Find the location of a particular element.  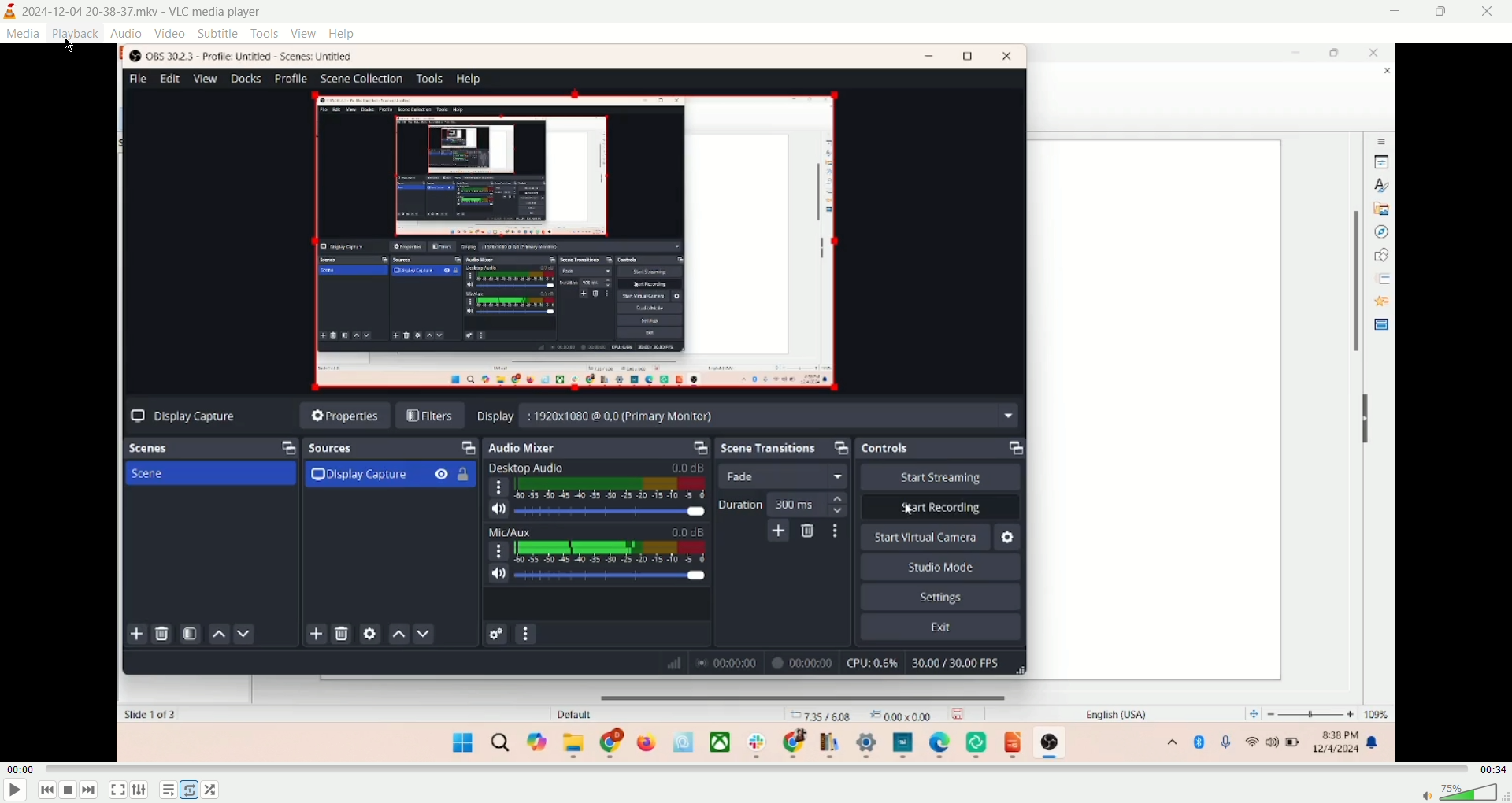

loop is located at coordinates (187, 790).